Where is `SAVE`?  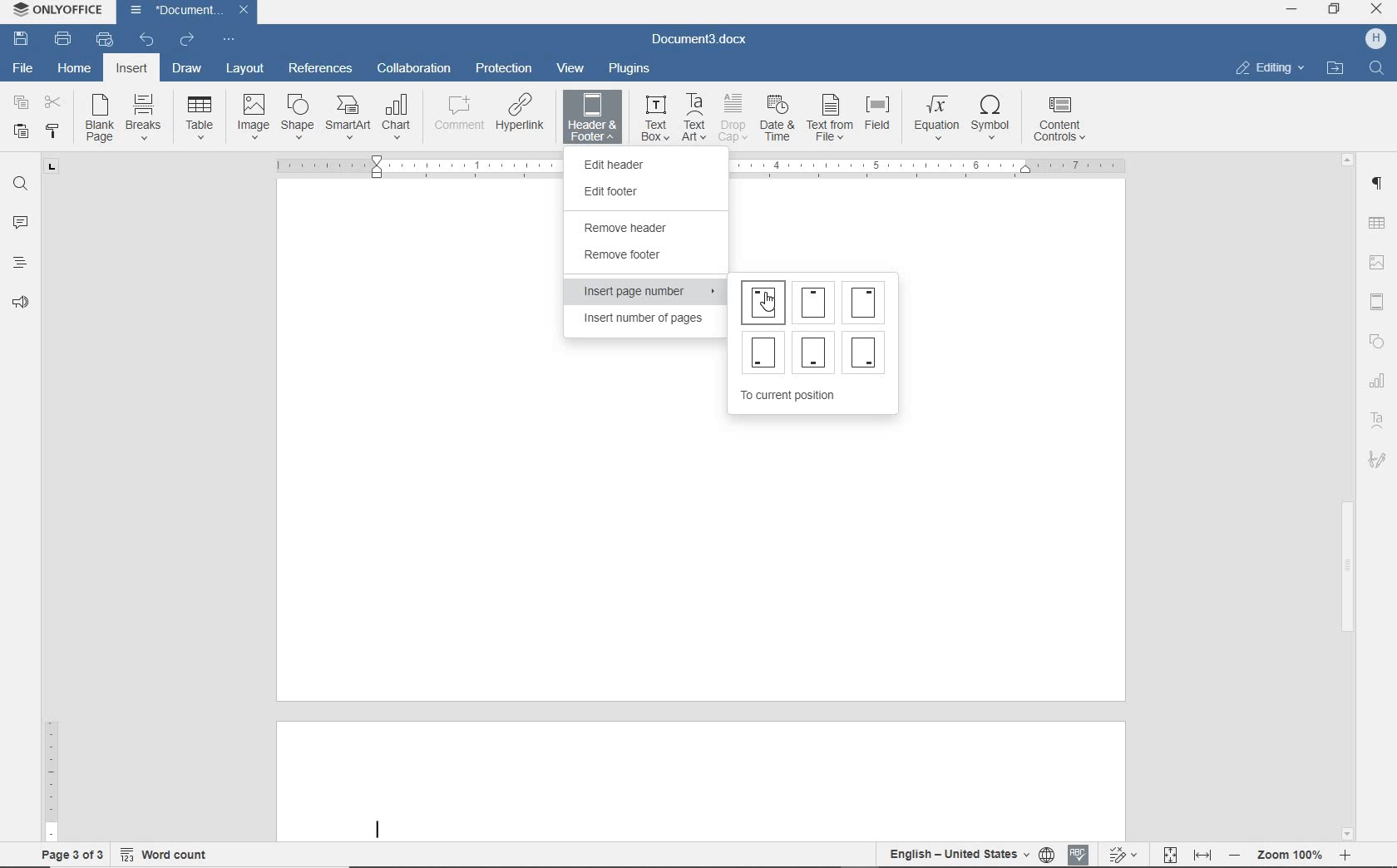 SAVE is located at coordinates (23, 38).